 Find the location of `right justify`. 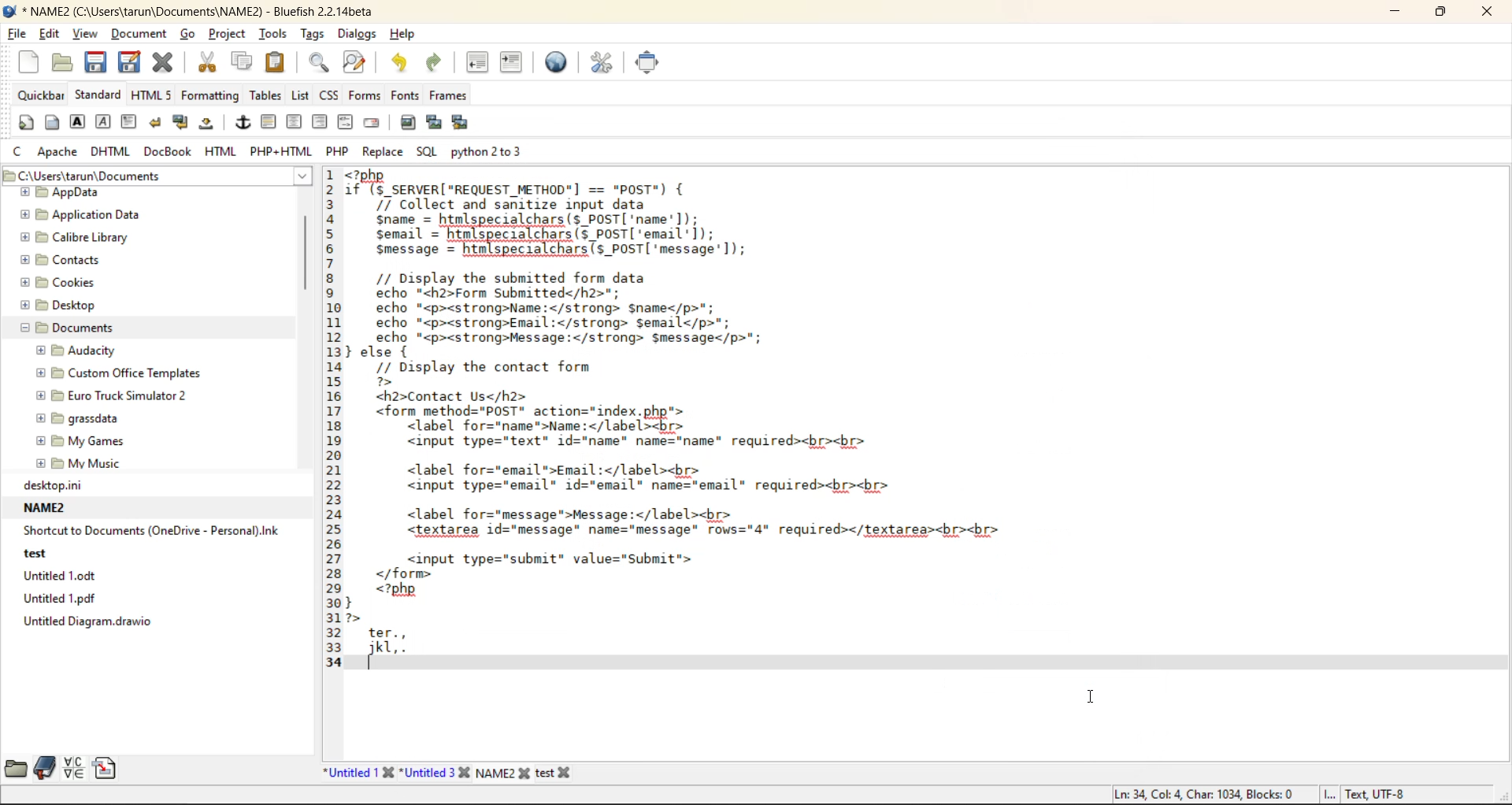

right justify is located at coordinates (321, 124).